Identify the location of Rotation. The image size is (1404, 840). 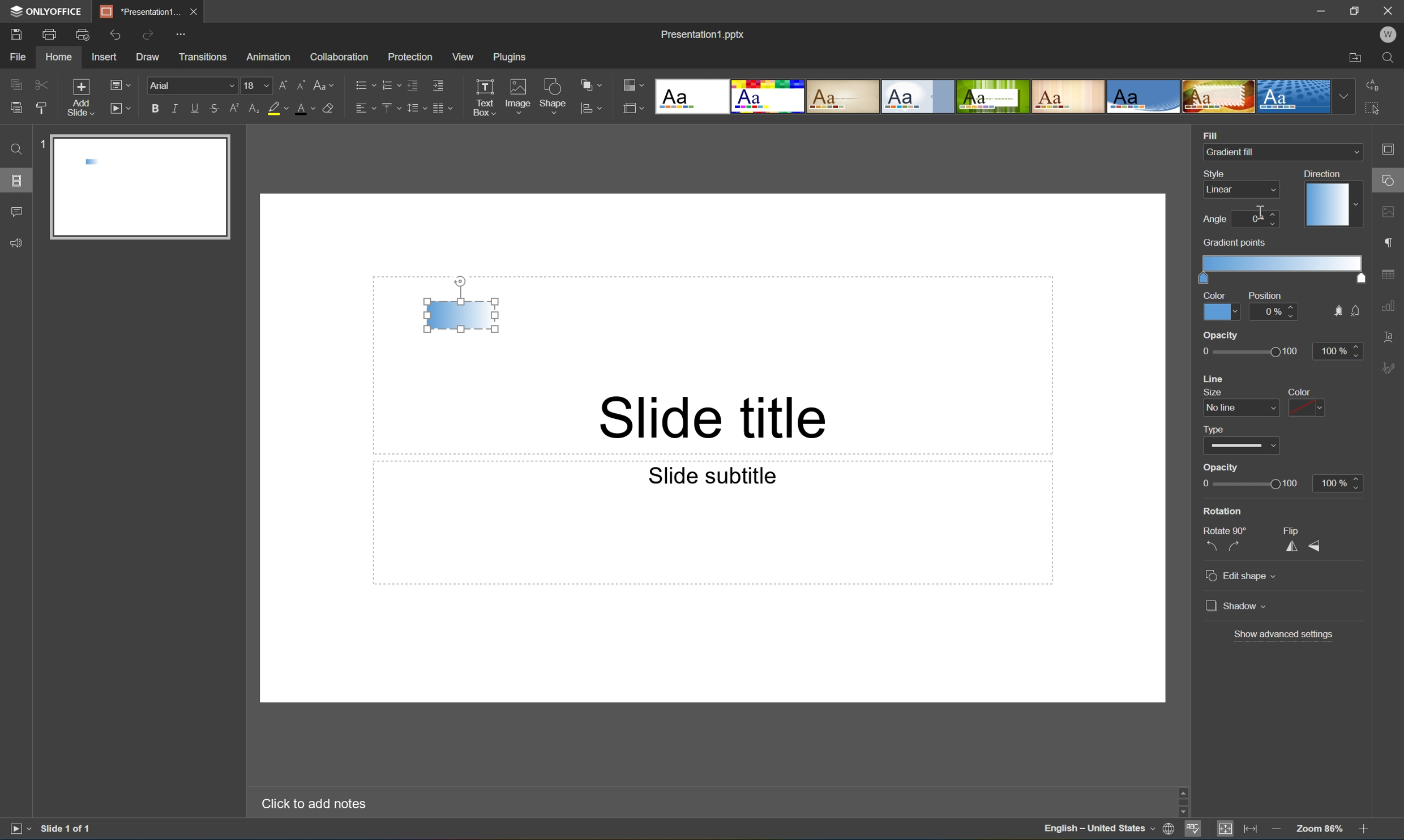
(1223, 511).